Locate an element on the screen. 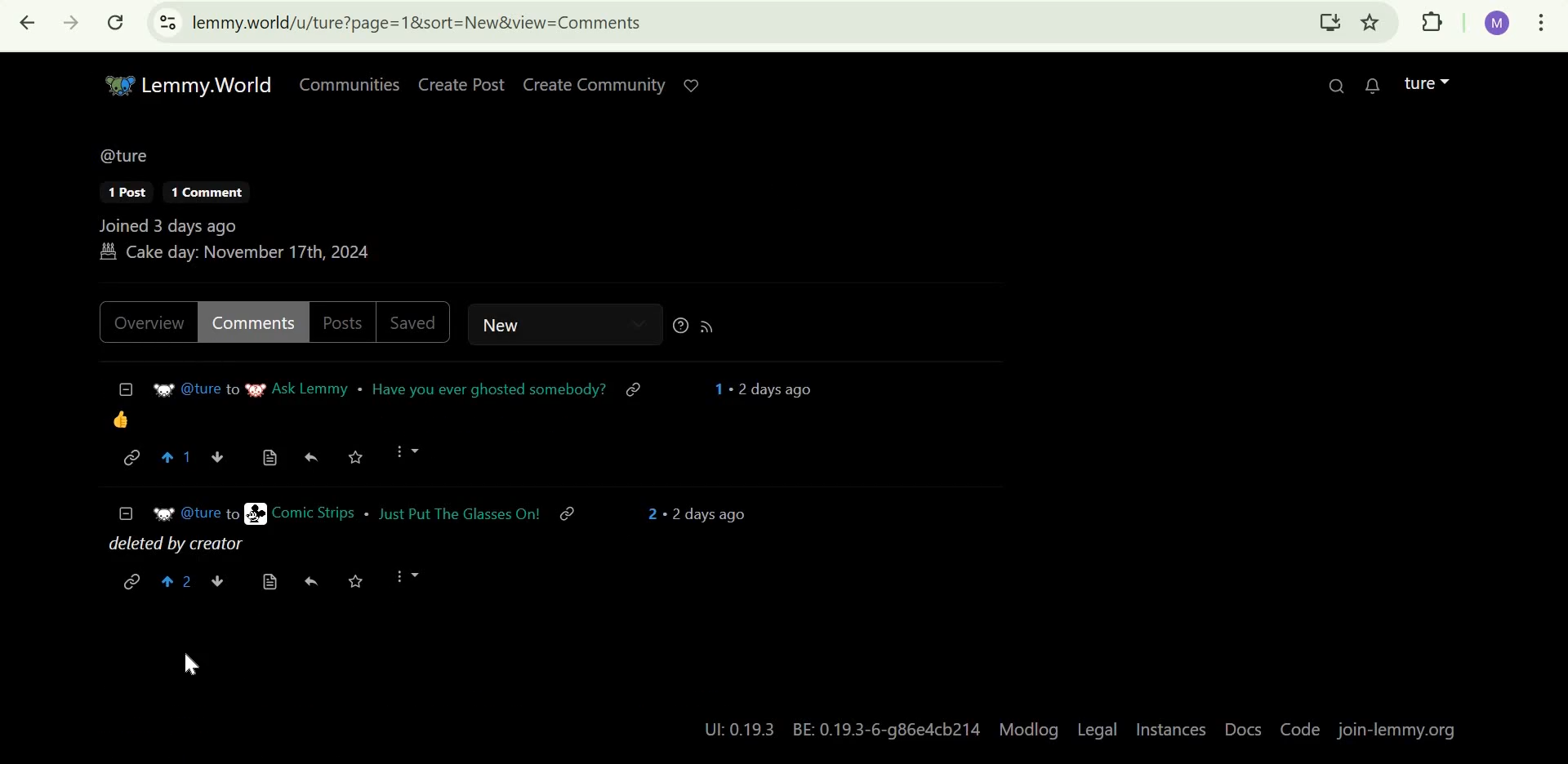 This screenshot has width=1568, height=764. Legal is located at coordinates (1099, 729).